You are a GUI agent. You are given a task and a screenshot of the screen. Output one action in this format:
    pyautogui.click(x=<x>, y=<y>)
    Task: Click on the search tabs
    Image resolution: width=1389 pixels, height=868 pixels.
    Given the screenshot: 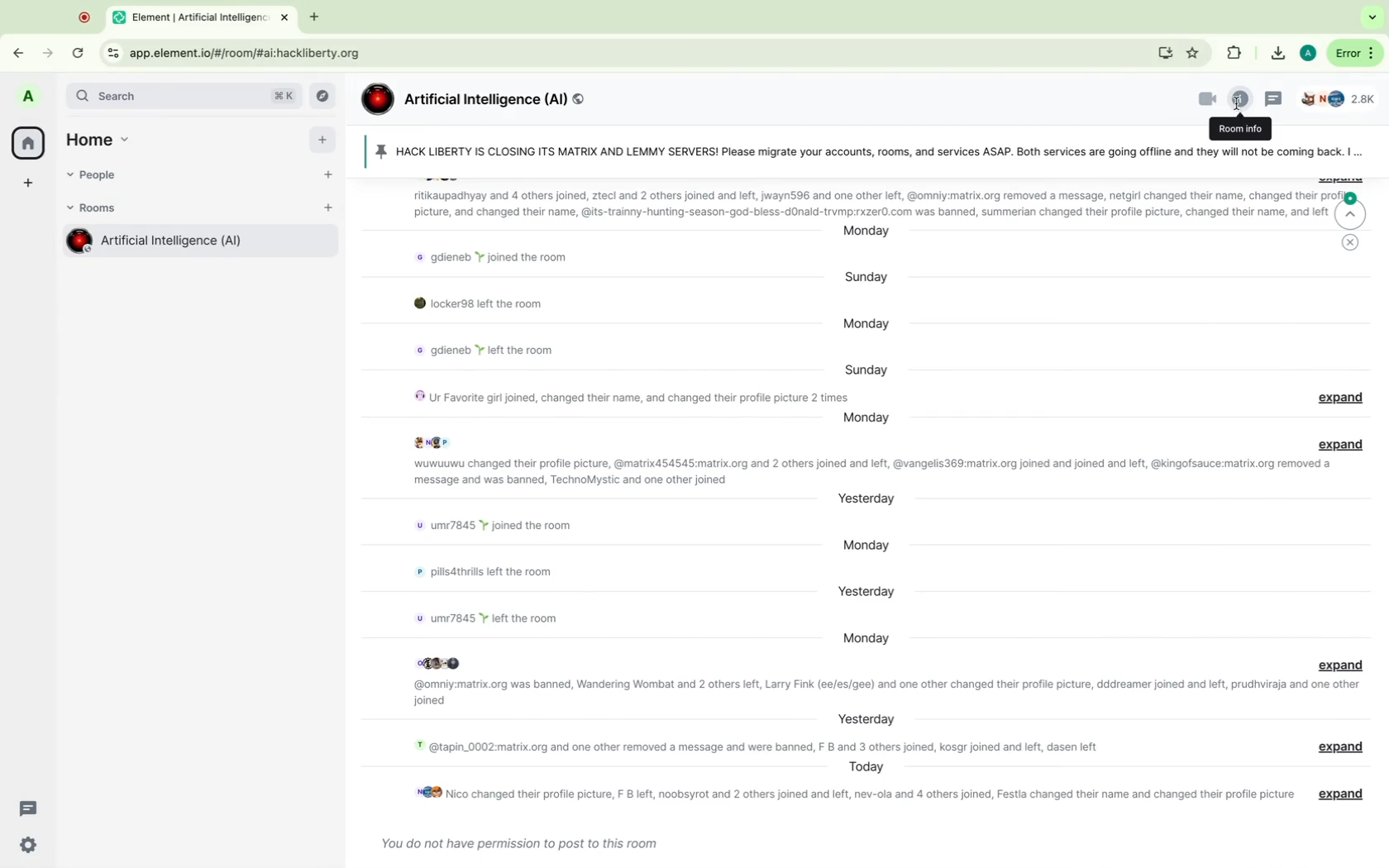 What is the action you would take?
    pyautogui.click(x=1372, y=17)
    